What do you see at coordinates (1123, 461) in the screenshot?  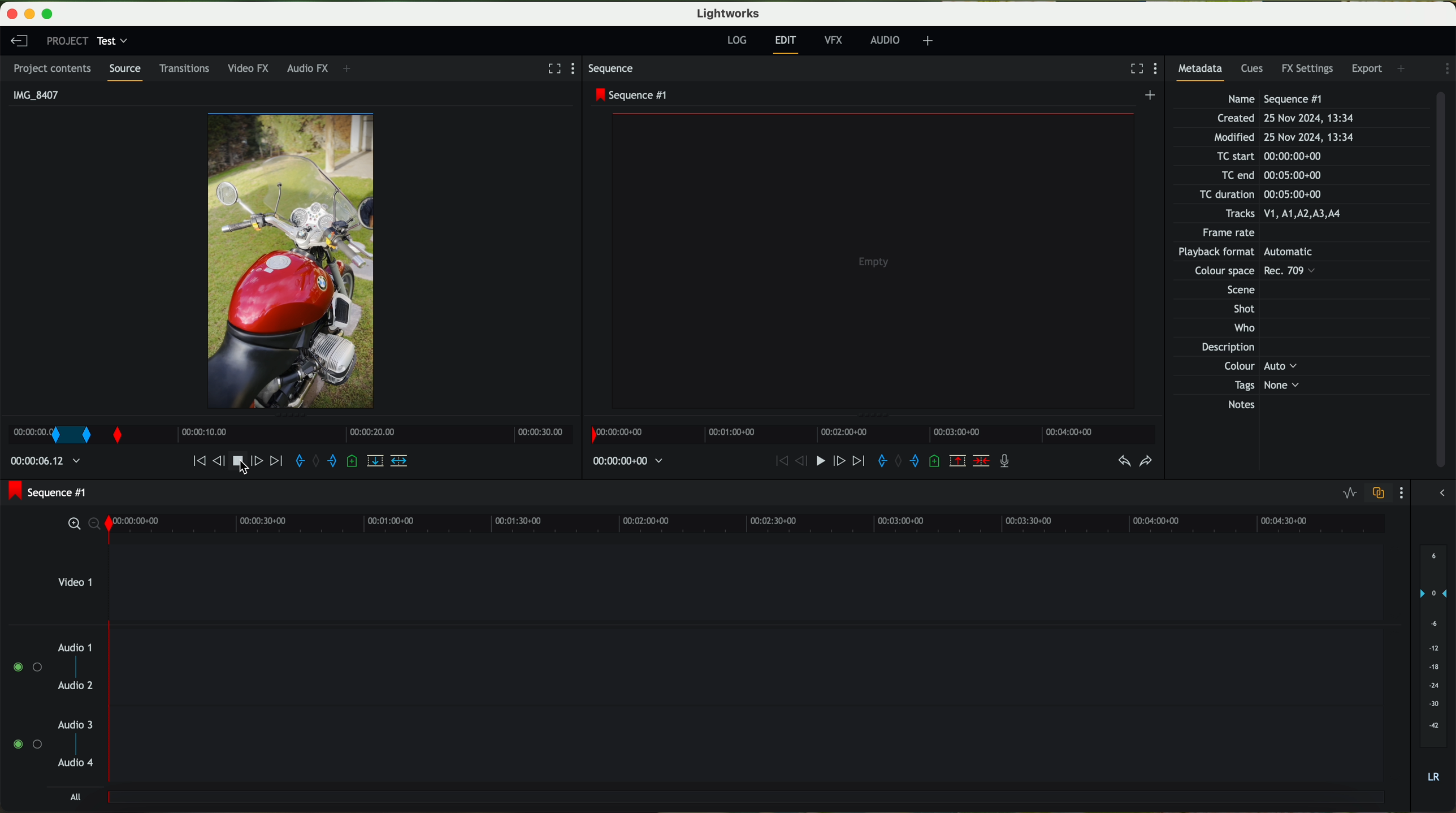 I see `undo` at bounding box center [1123, 461].